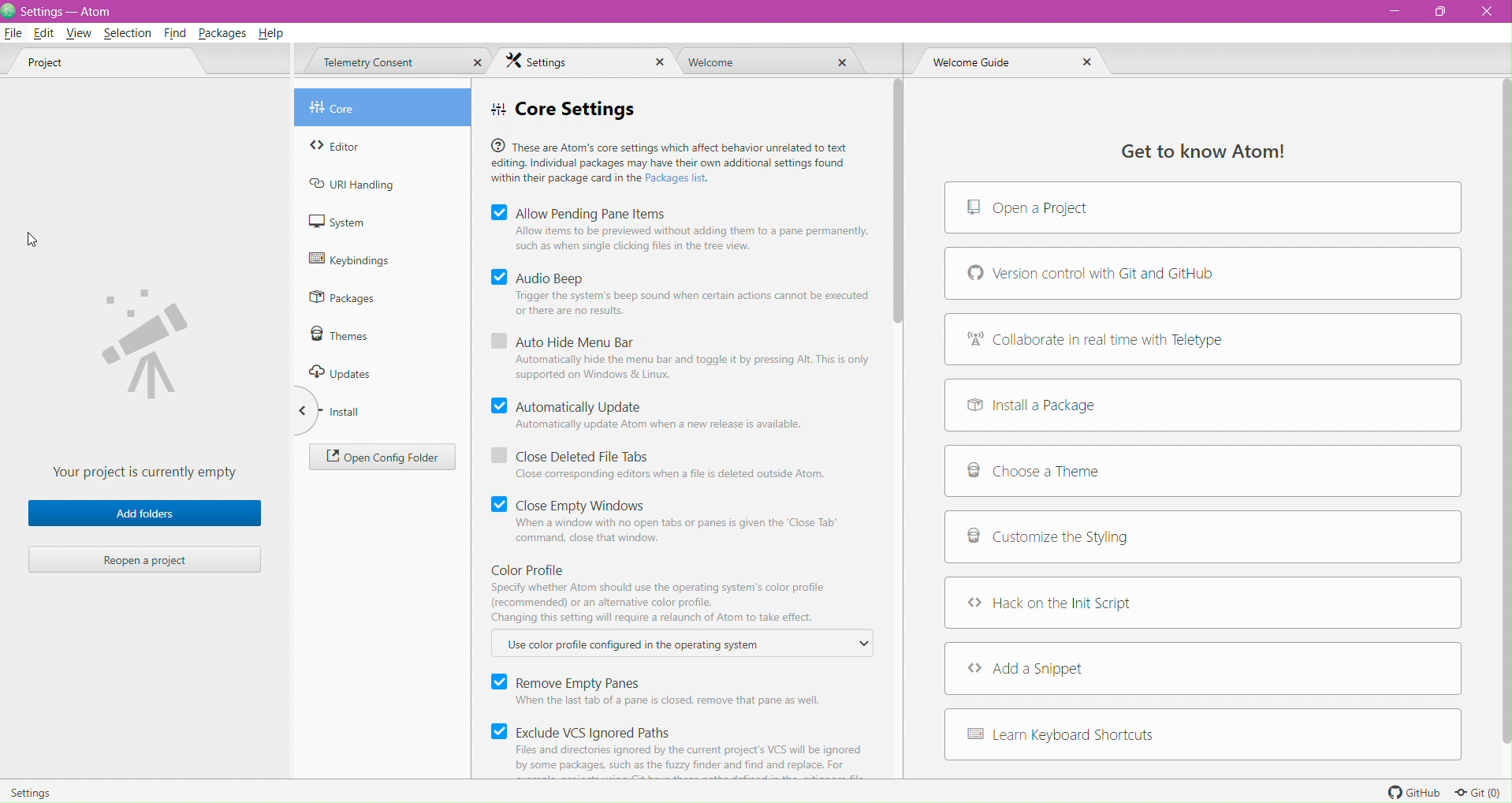 This screenshot has width=1512, height=803. Describe the element at coordinates (683, 296) in the screenshot. I see `Audio Beep Trigger the system's beep sound when certain actions cannot be executed or there are no results.` at that location.